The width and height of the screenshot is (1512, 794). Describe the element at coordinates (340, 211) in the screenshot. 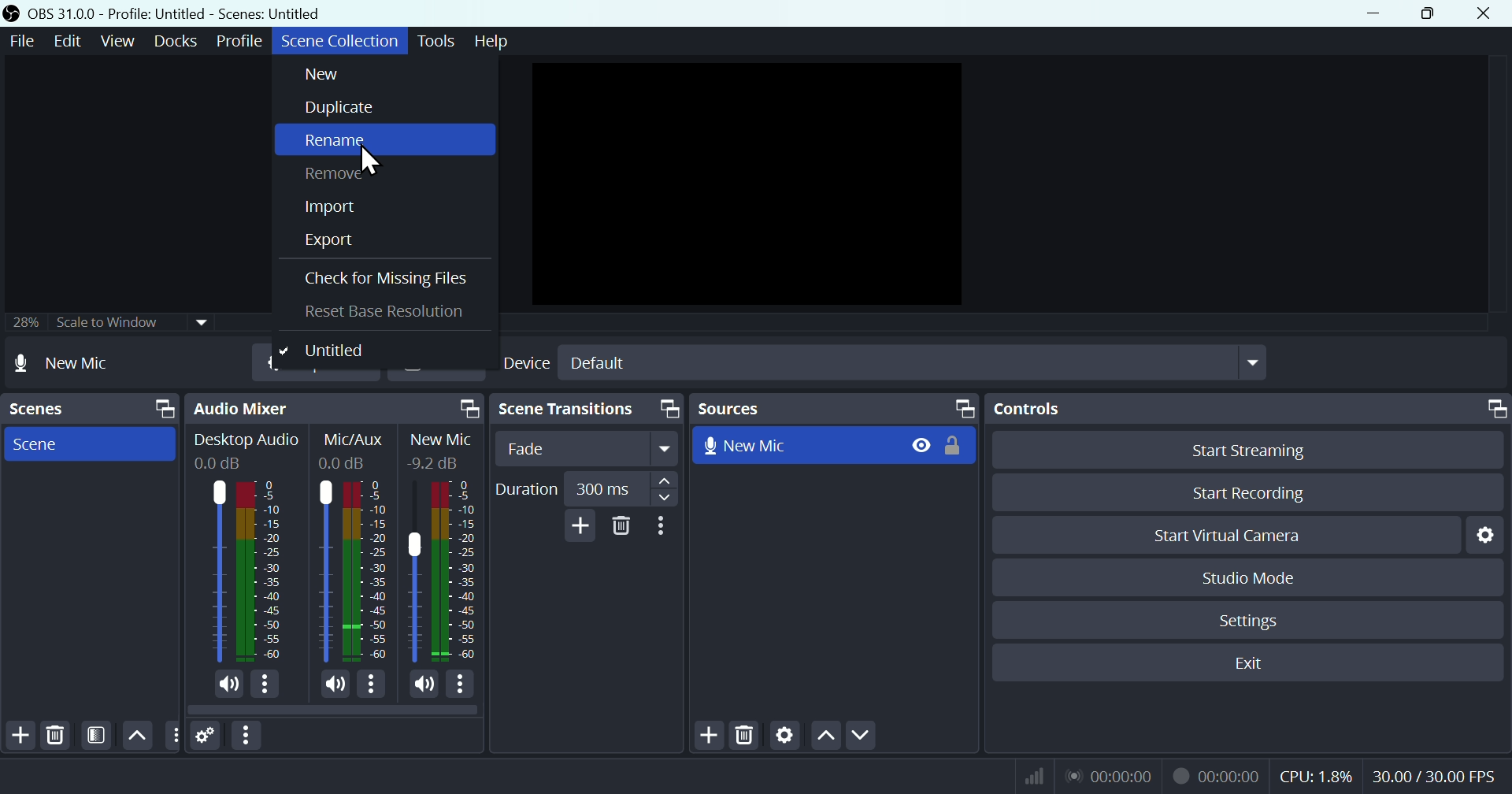

I see `Import` at that location.